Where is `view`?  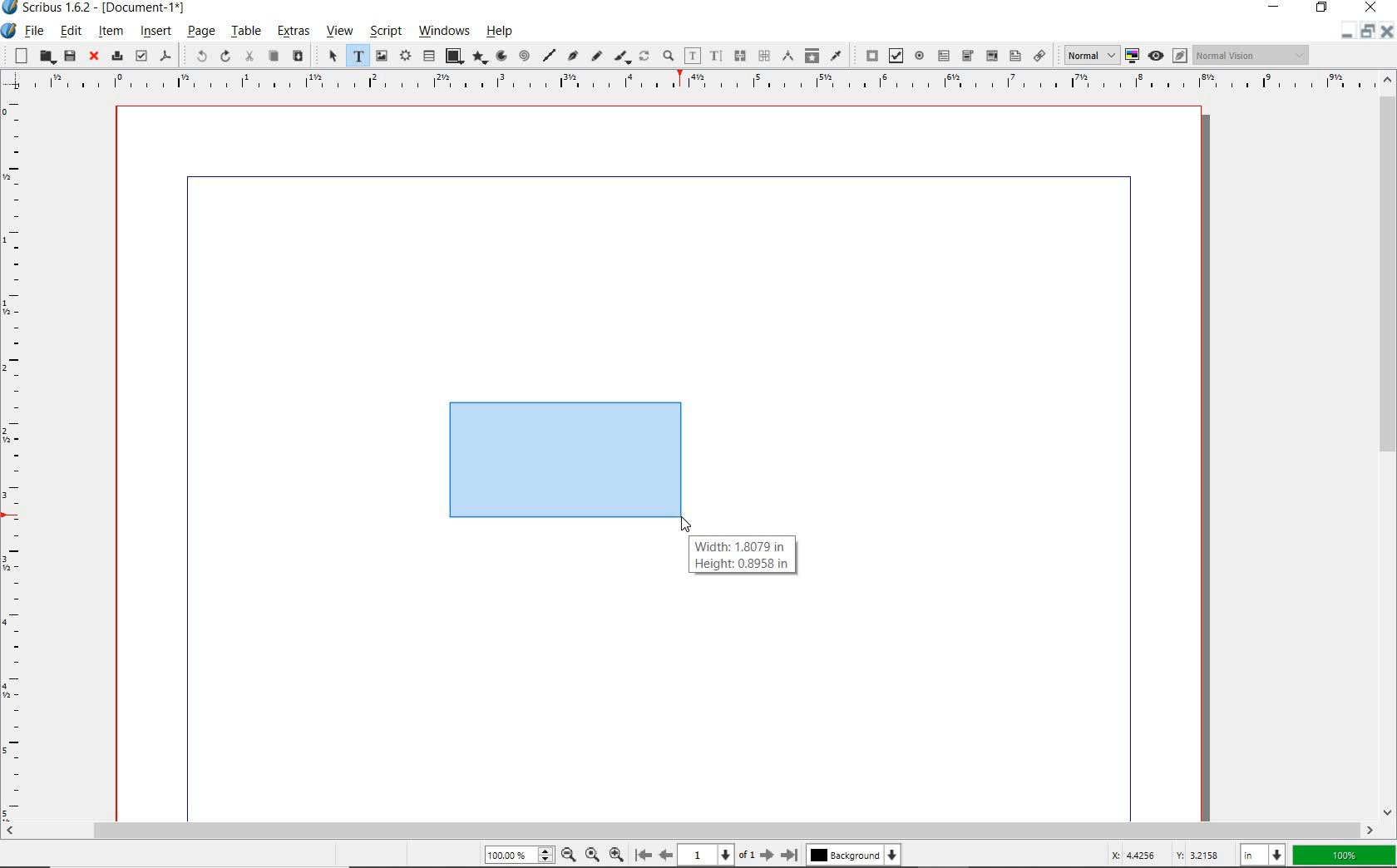
view is located at coordinates (342, 32).